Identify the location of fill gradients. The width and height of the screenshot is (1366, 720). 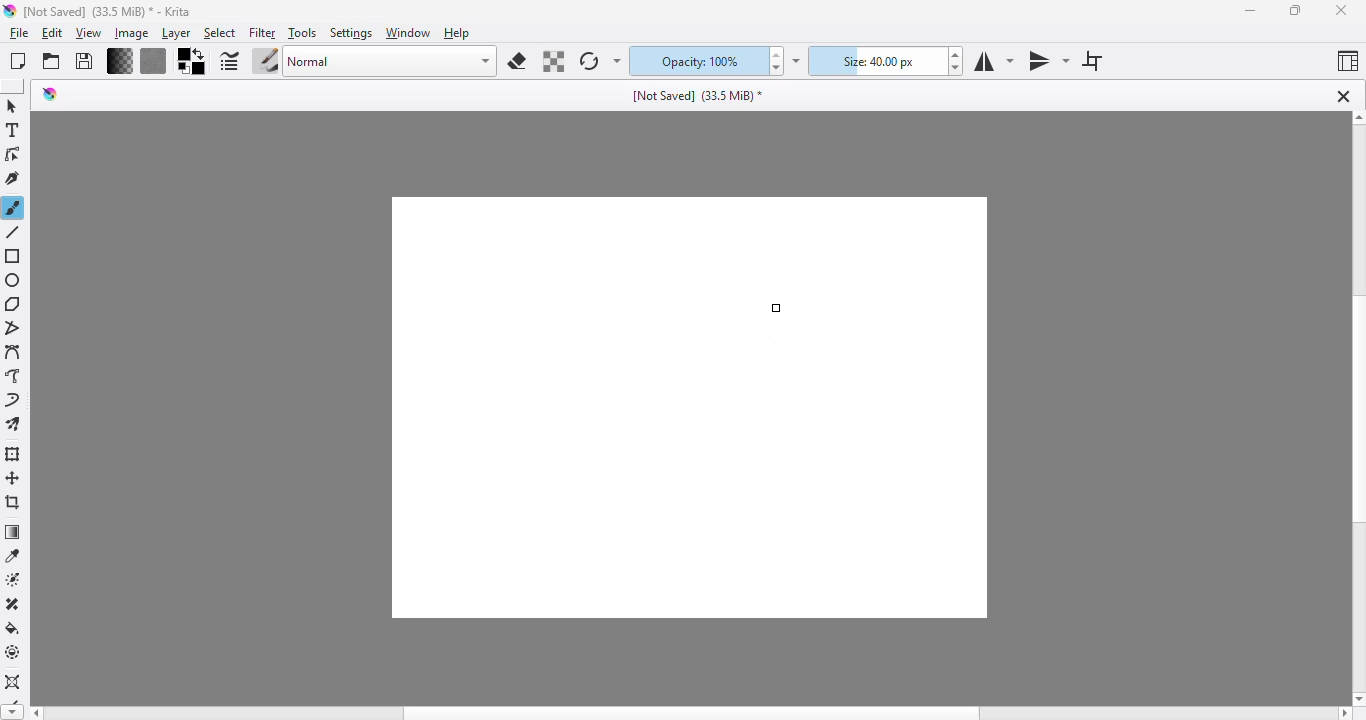
(120, 61).